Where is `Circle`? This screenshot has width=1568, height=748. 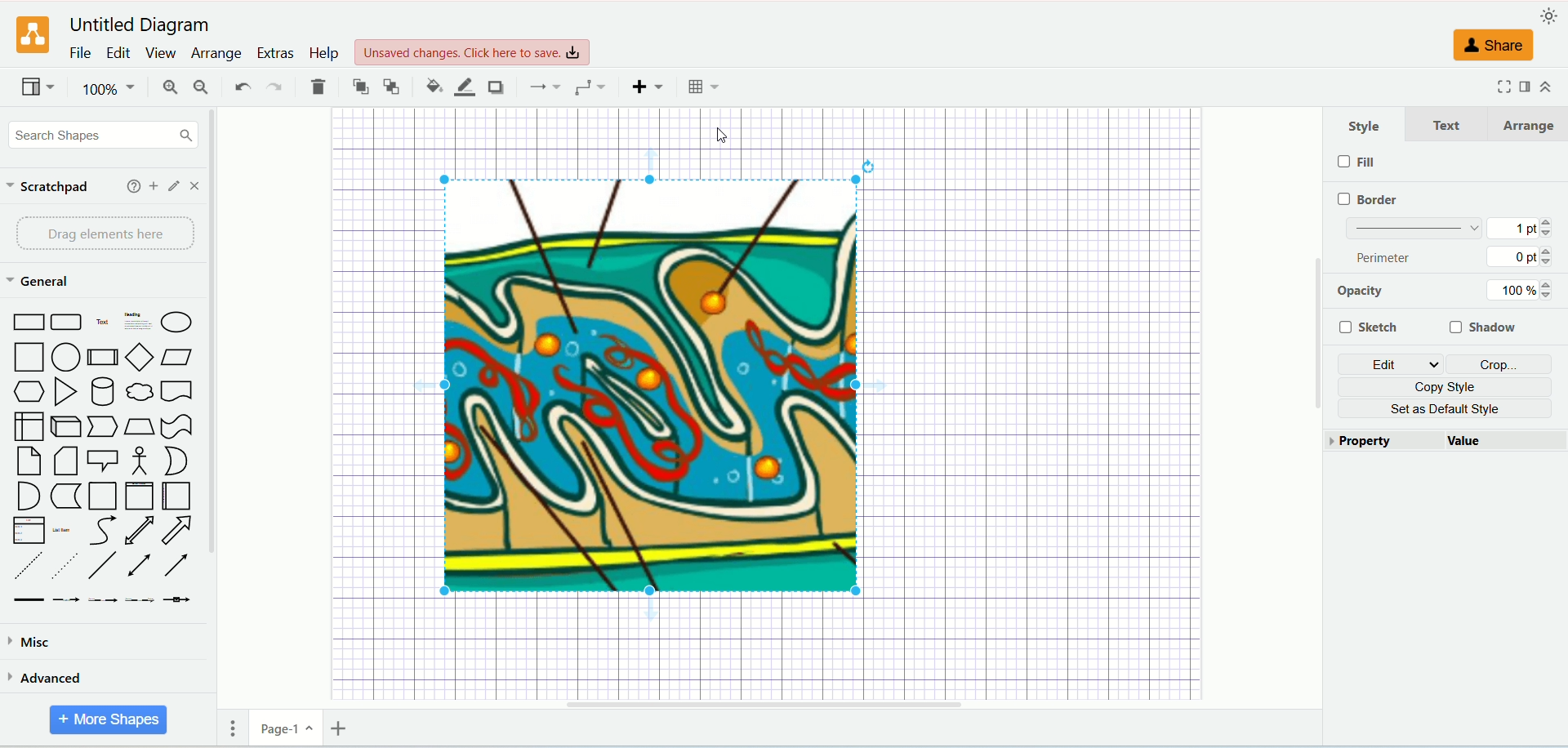 Circle is located at coordinates (65, 358).